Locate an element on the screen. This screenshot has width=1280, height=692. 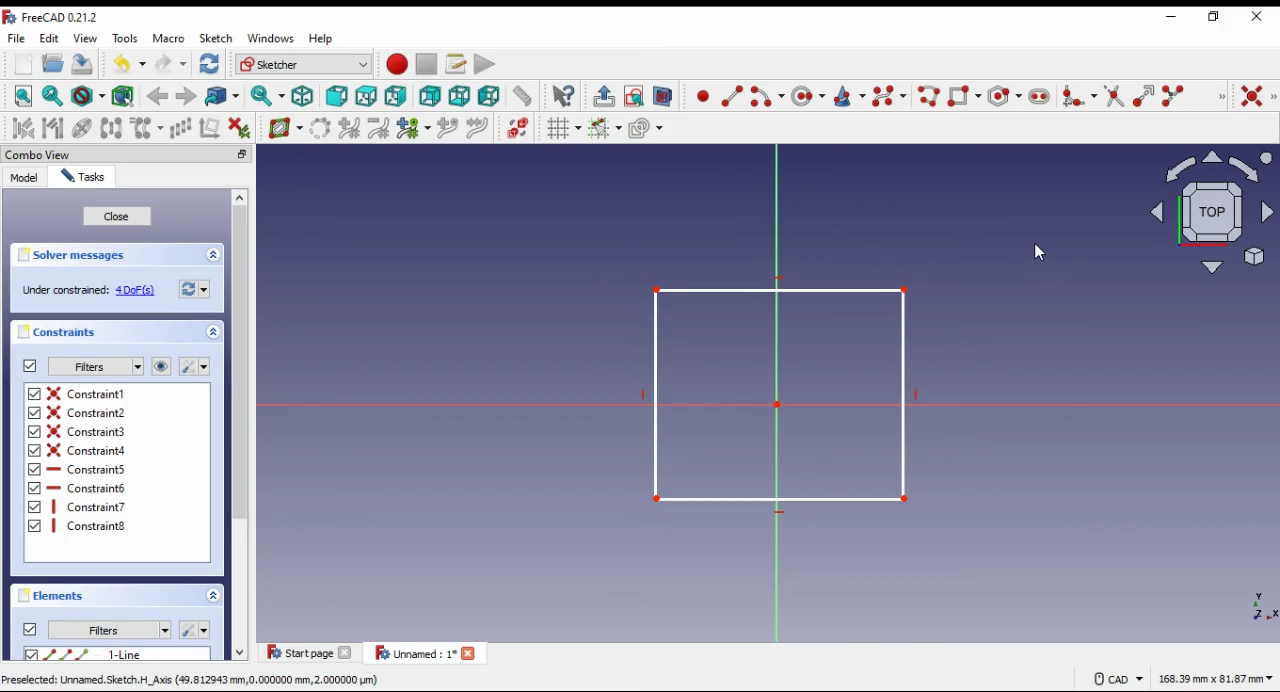
configure rendering order is located at coordinates (647, 128).